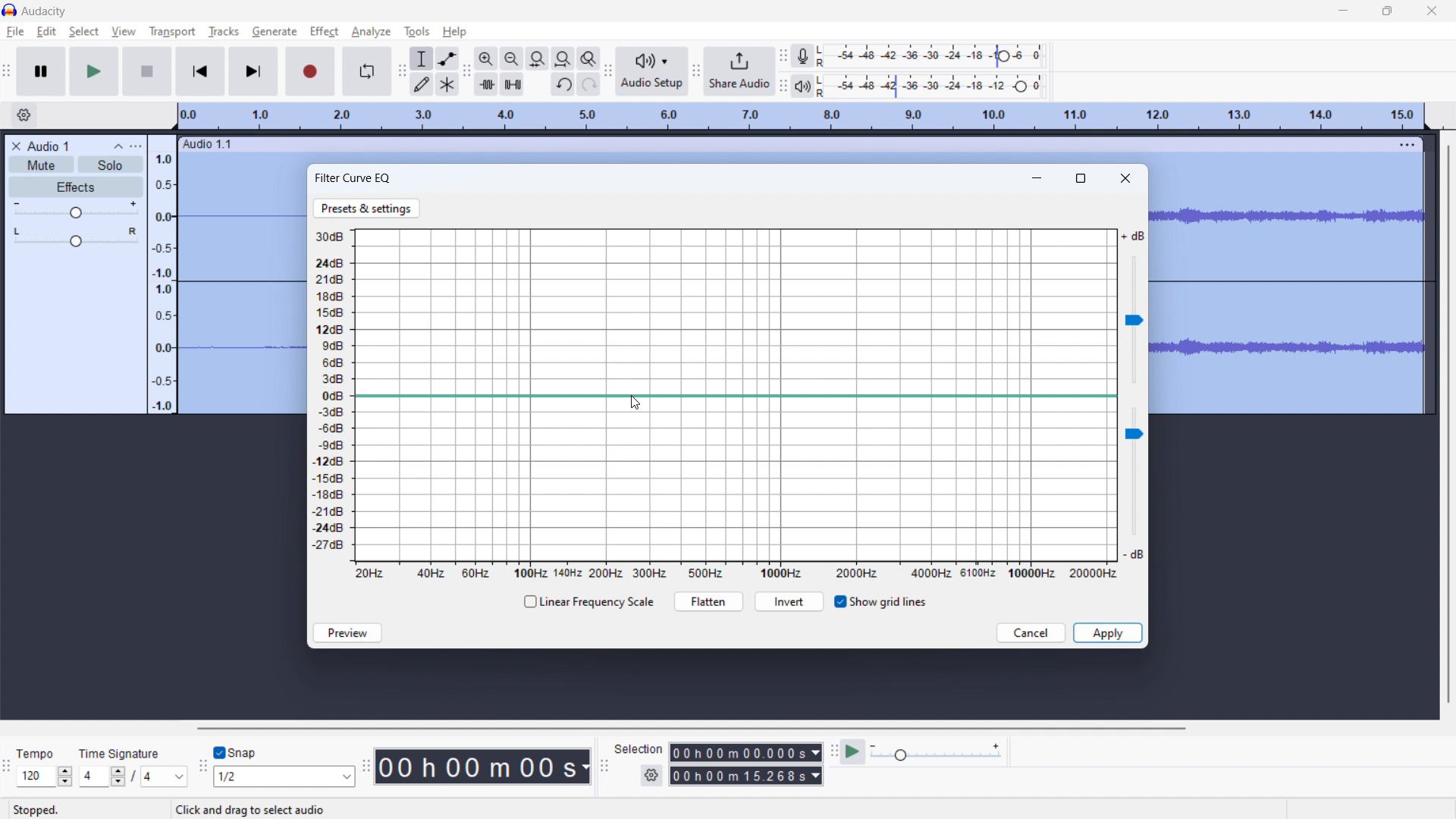 The width and height of the screenshot is (1456, 819). I want to click on select, so click(83, 32).